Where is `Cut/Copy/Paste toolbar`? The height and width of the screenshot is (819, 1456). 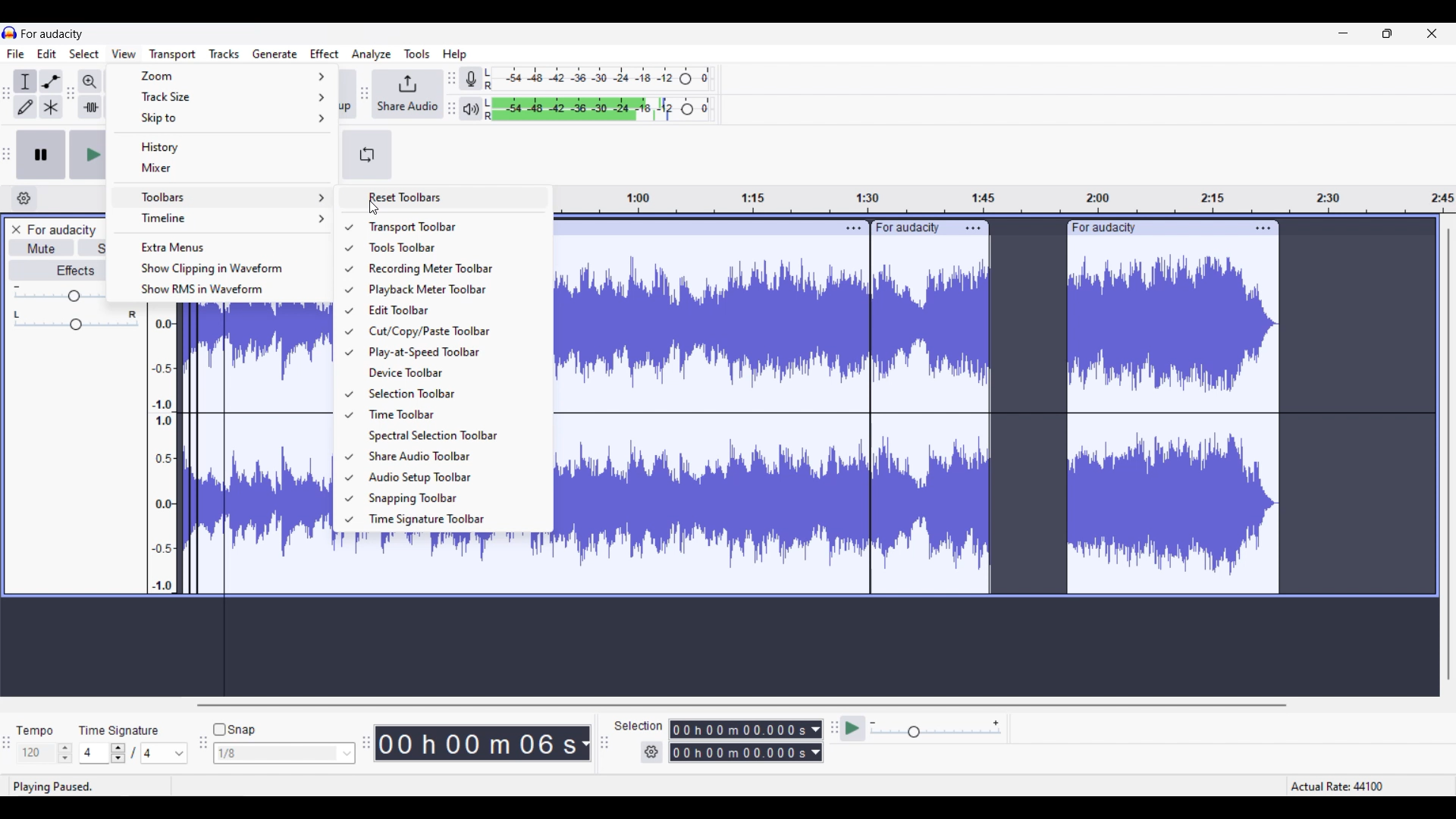
Cut/Copy/Paste toolbar is located at coordinates (450, 331).